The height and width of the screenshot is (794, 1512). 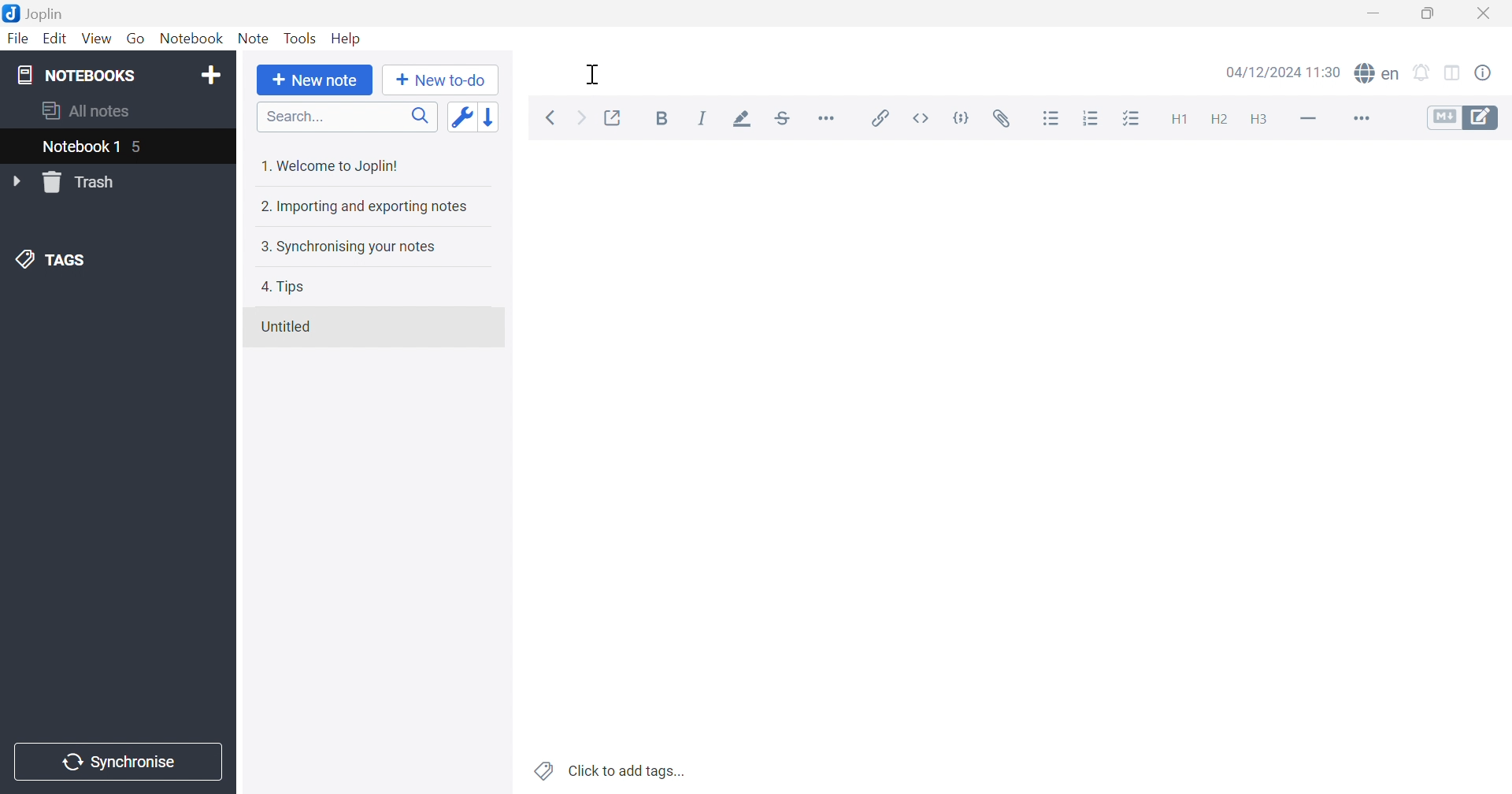 I want to click on Bold, so click(x=662, y=117).